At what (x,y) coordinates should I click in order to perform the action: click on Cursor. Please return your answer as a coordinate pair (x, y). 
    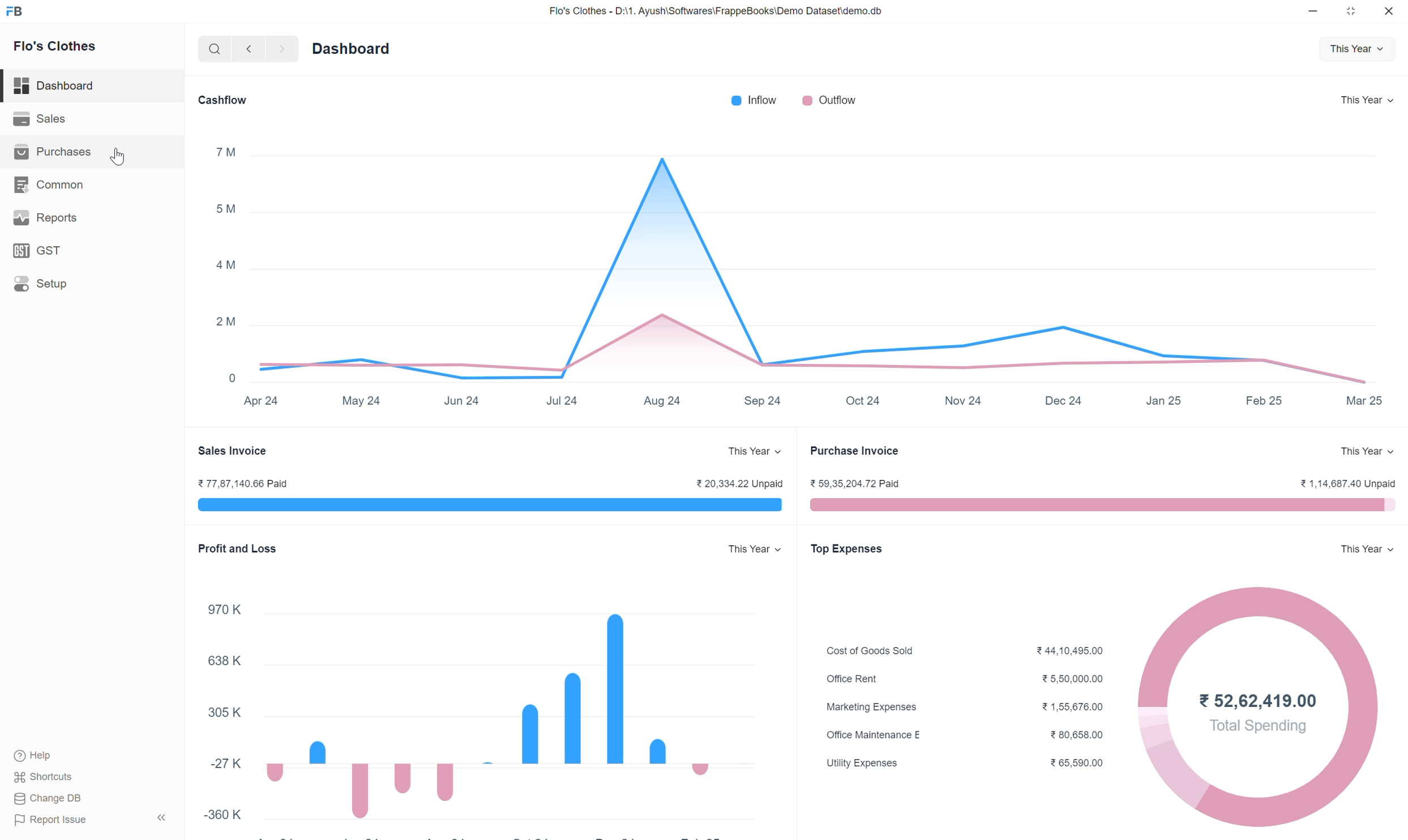
    Looking at the image, I should click on (117, 156).